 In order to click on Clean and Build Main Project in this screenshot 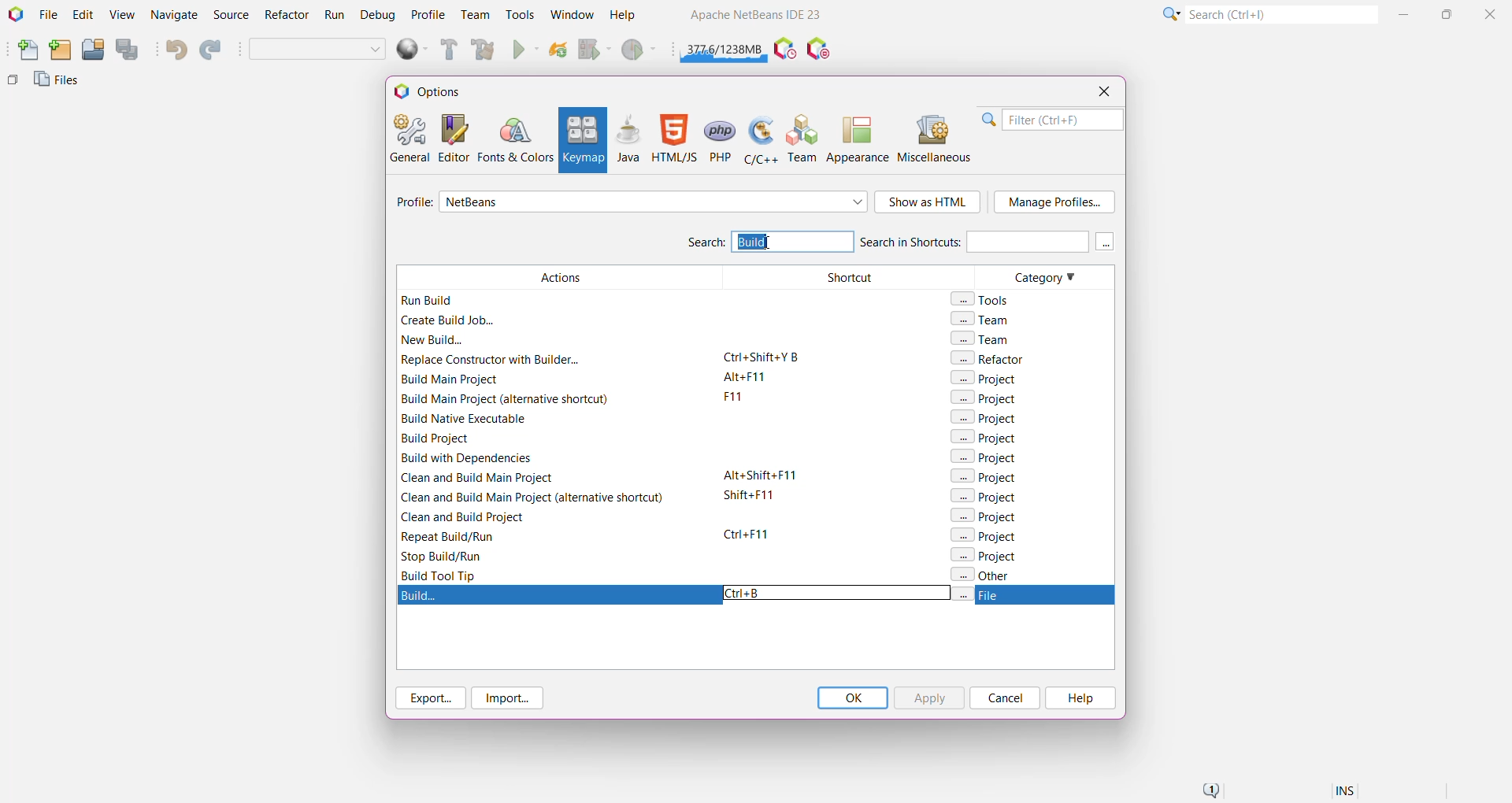, I will do `click(486, 51)`.